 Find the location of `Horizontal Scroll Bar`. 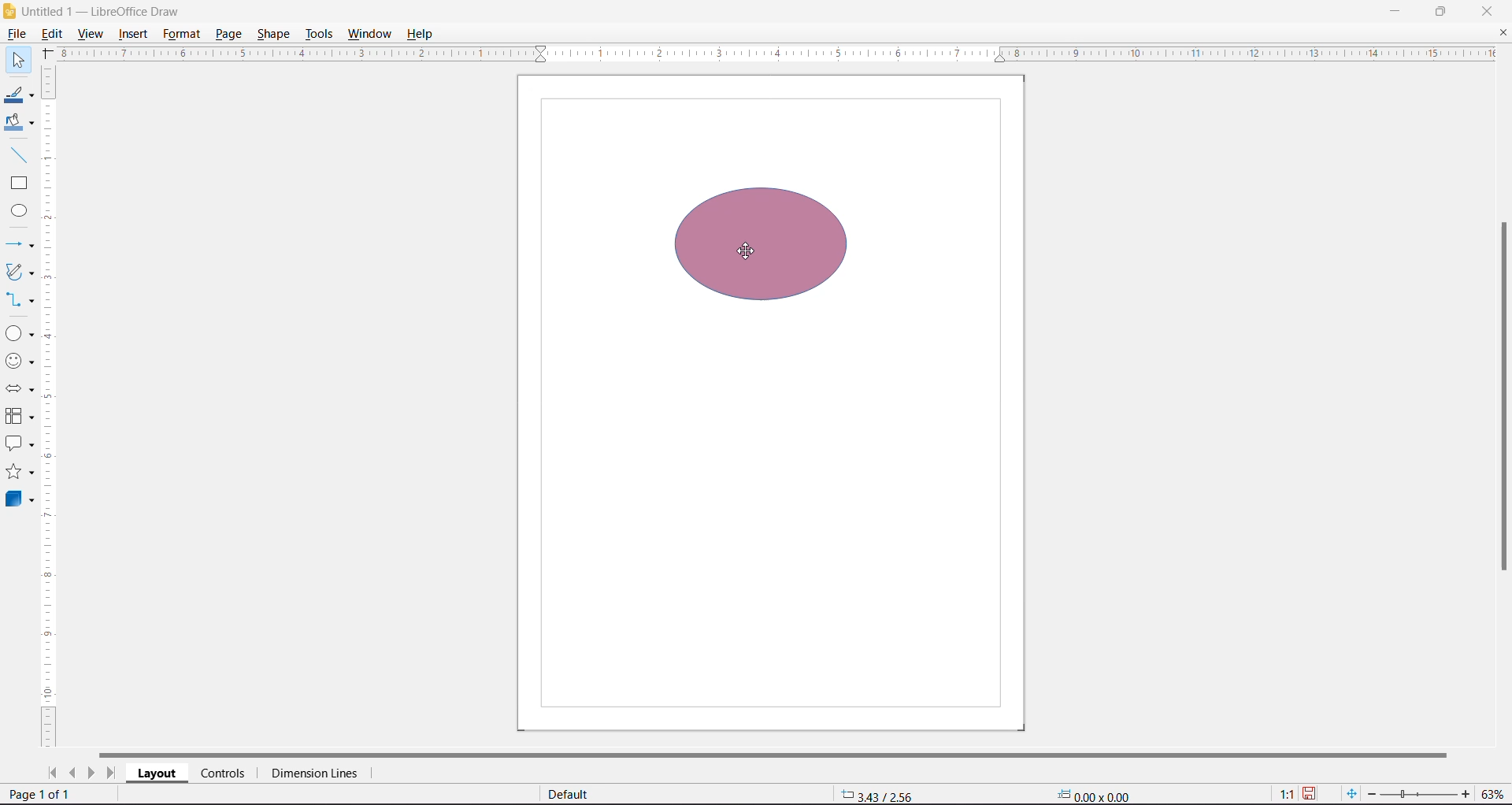

Horizontal Scroll Bar is located at coordinates (776, 754).